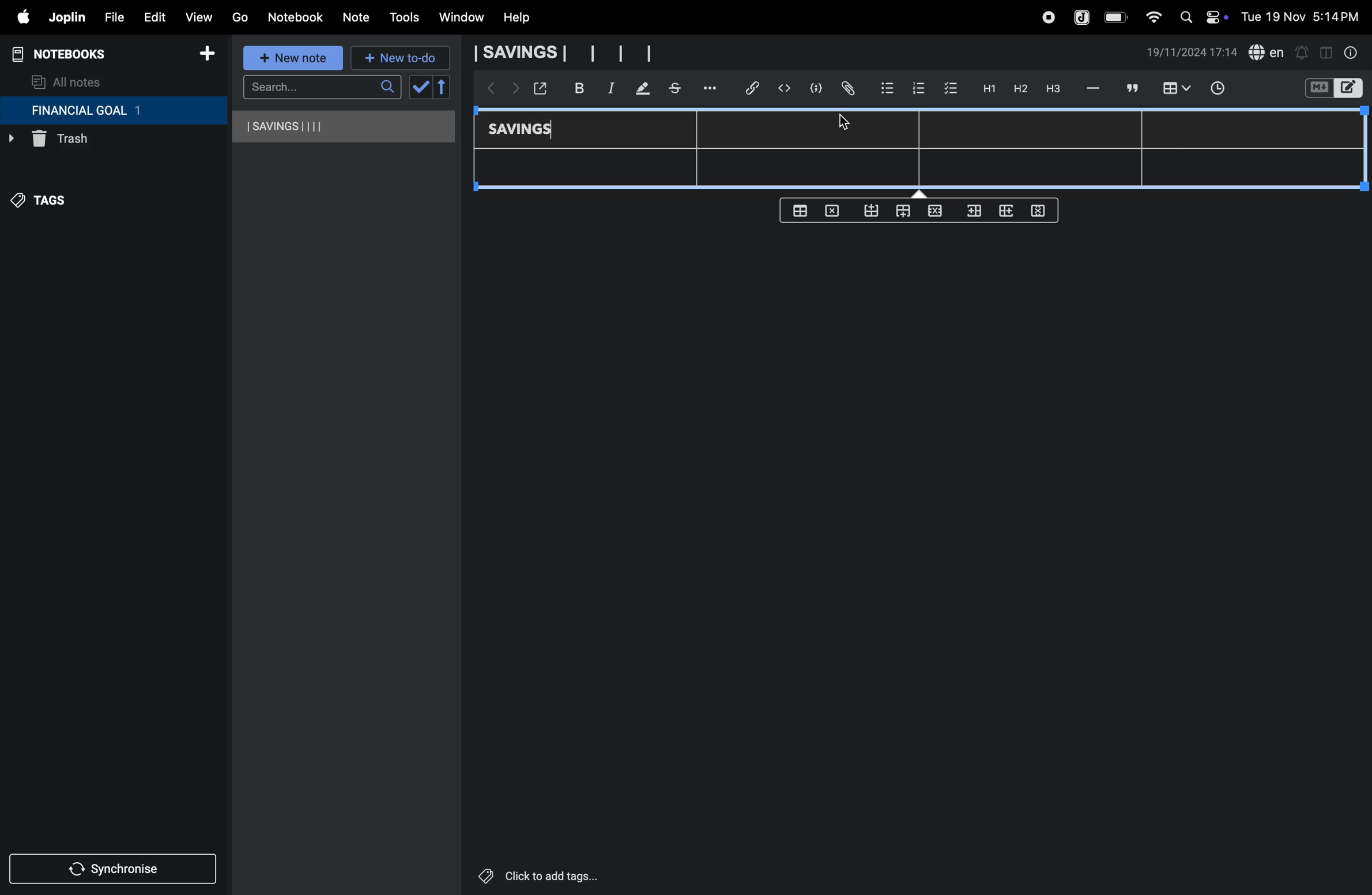 The height and width of the screenshot is (895, 1372). Describe the element at coordinates (933, 213) in the screenshot. I see `close rows` at that location.